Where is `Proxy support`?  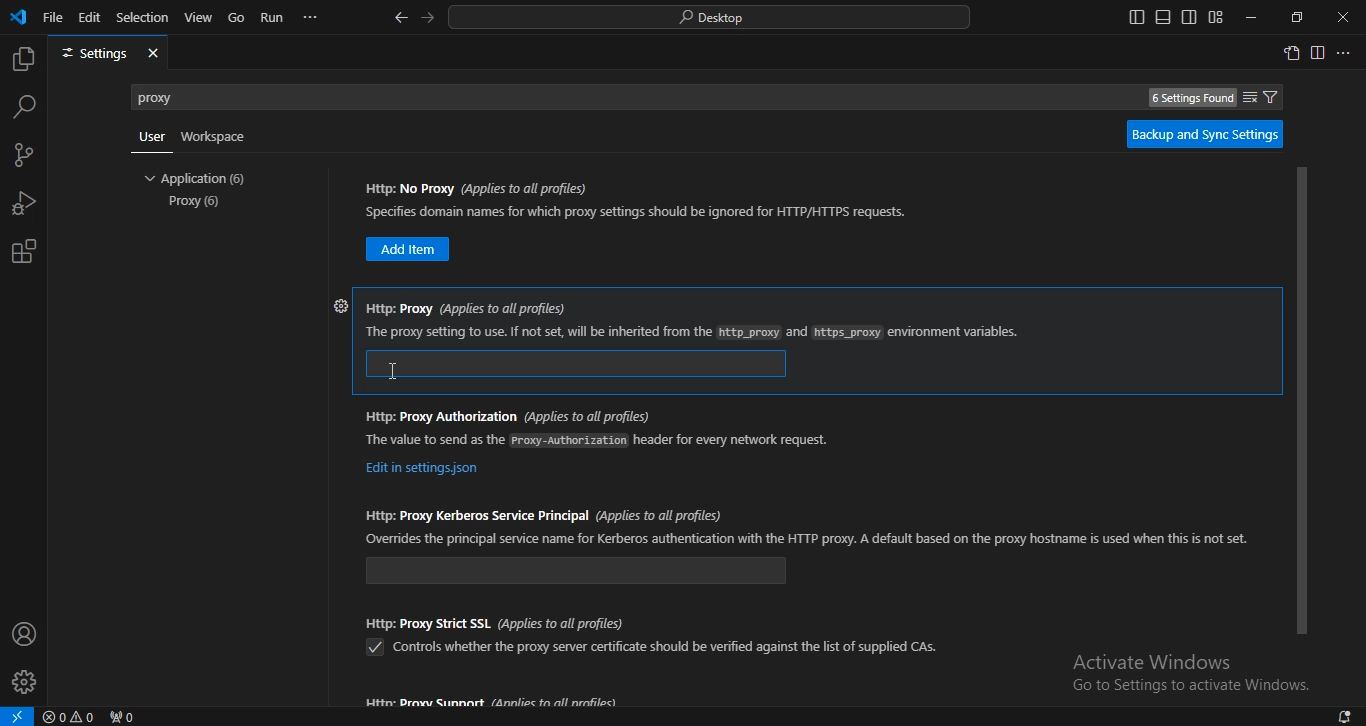 Proxy support is located at coordinates (493, 702).